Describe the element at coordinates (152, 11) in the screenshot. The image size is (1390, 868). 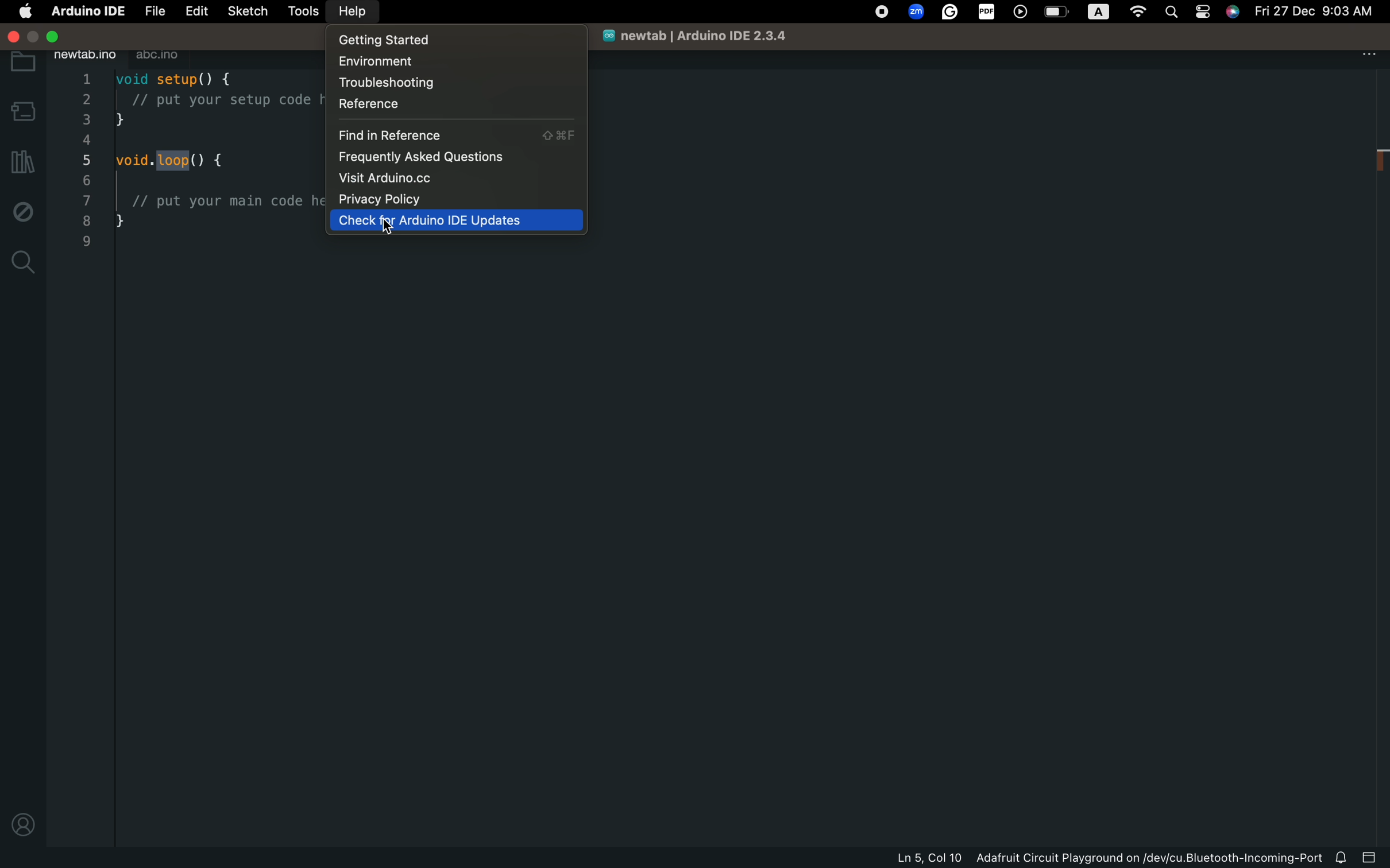
I see `file` at that location.